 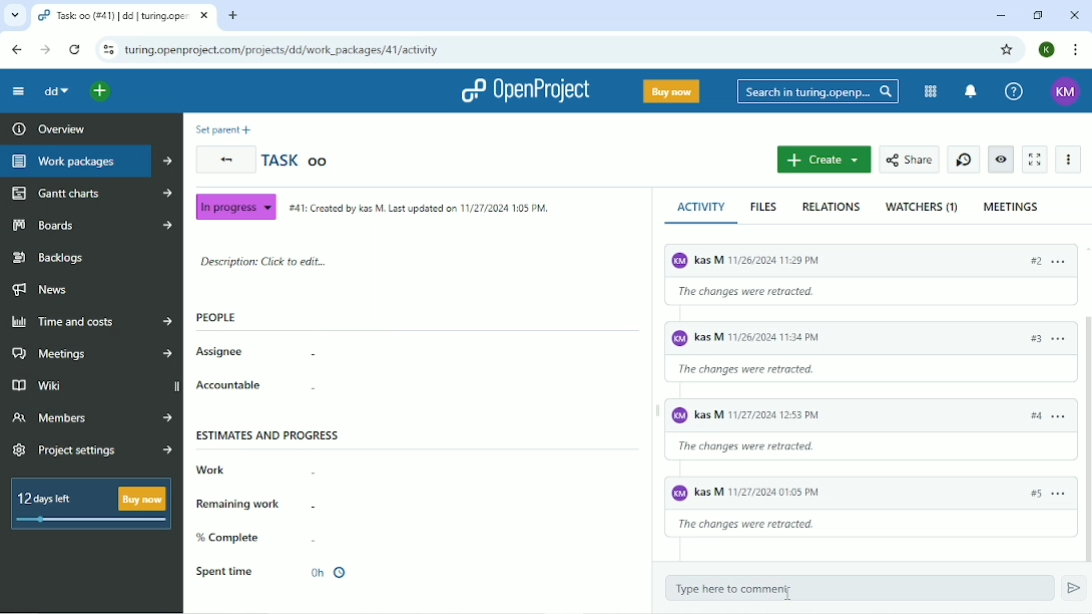 I want to click on Reload this page, so click(x=76, y=50).